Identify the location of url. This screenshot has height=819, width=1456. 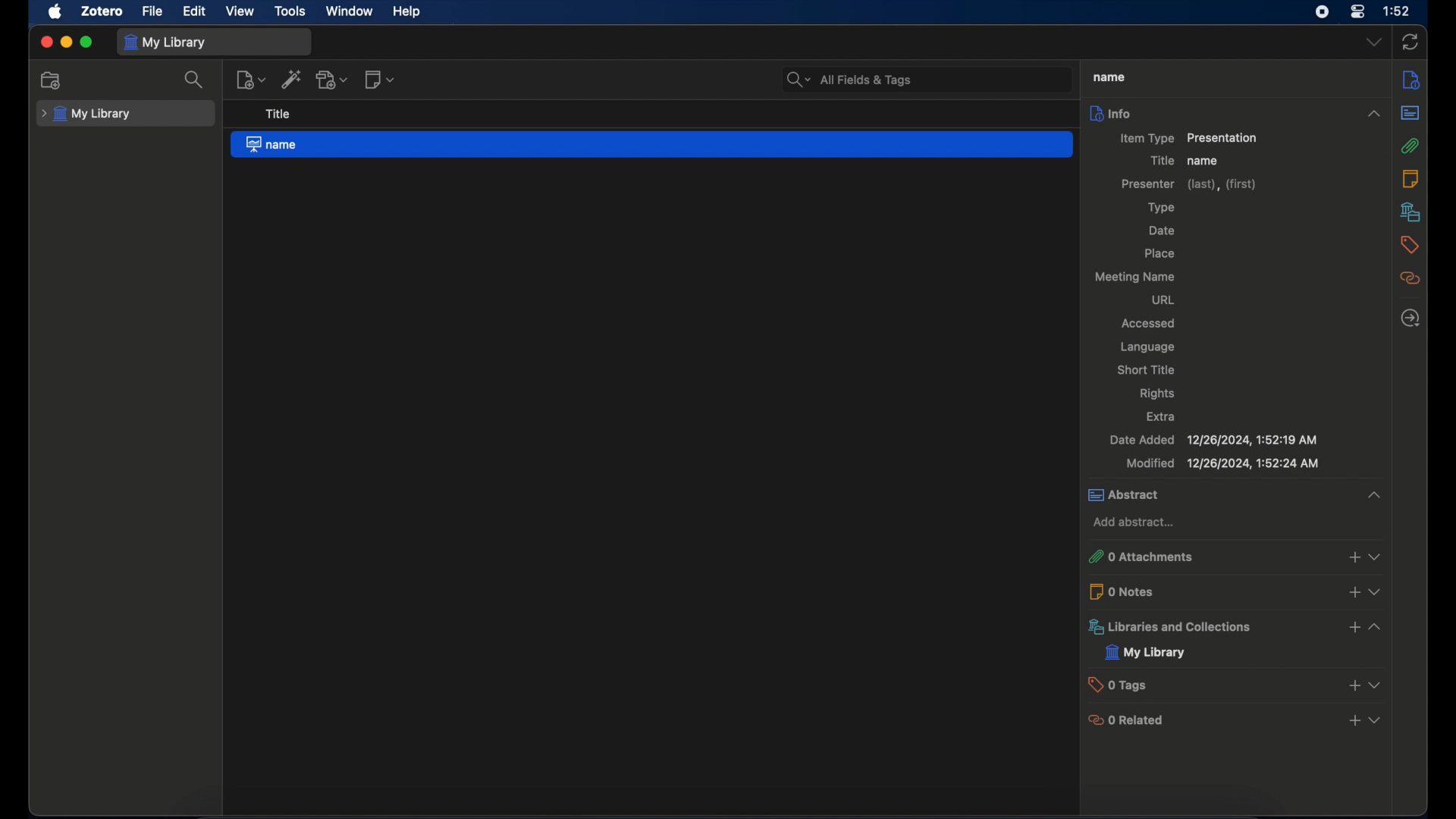
(1161, 300).